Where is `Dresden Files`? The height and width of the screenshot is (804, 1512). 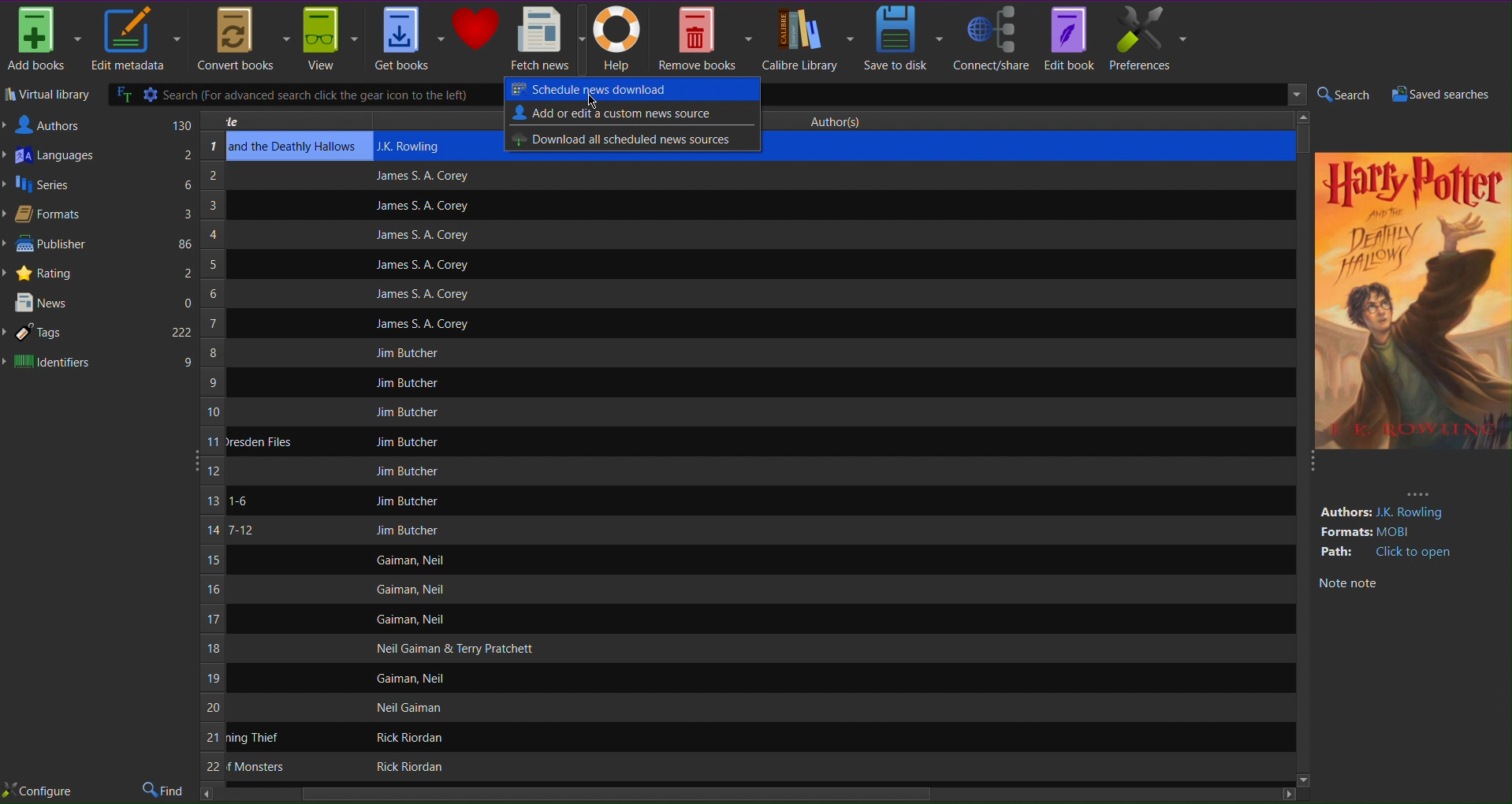
Dresden Files is located at coordinates (260, 441).